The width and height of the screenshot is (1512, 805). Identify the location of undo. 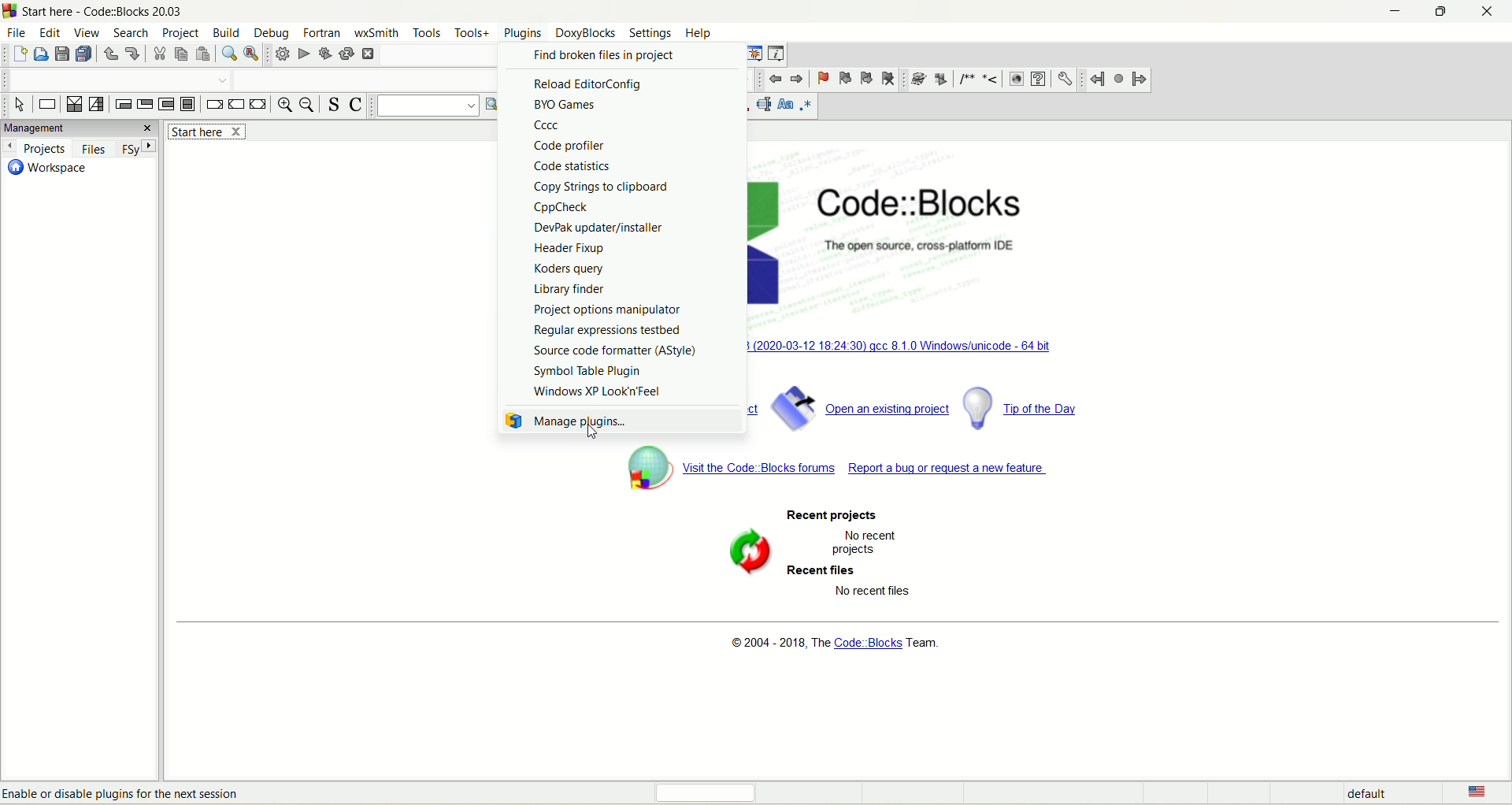
(109, 54).